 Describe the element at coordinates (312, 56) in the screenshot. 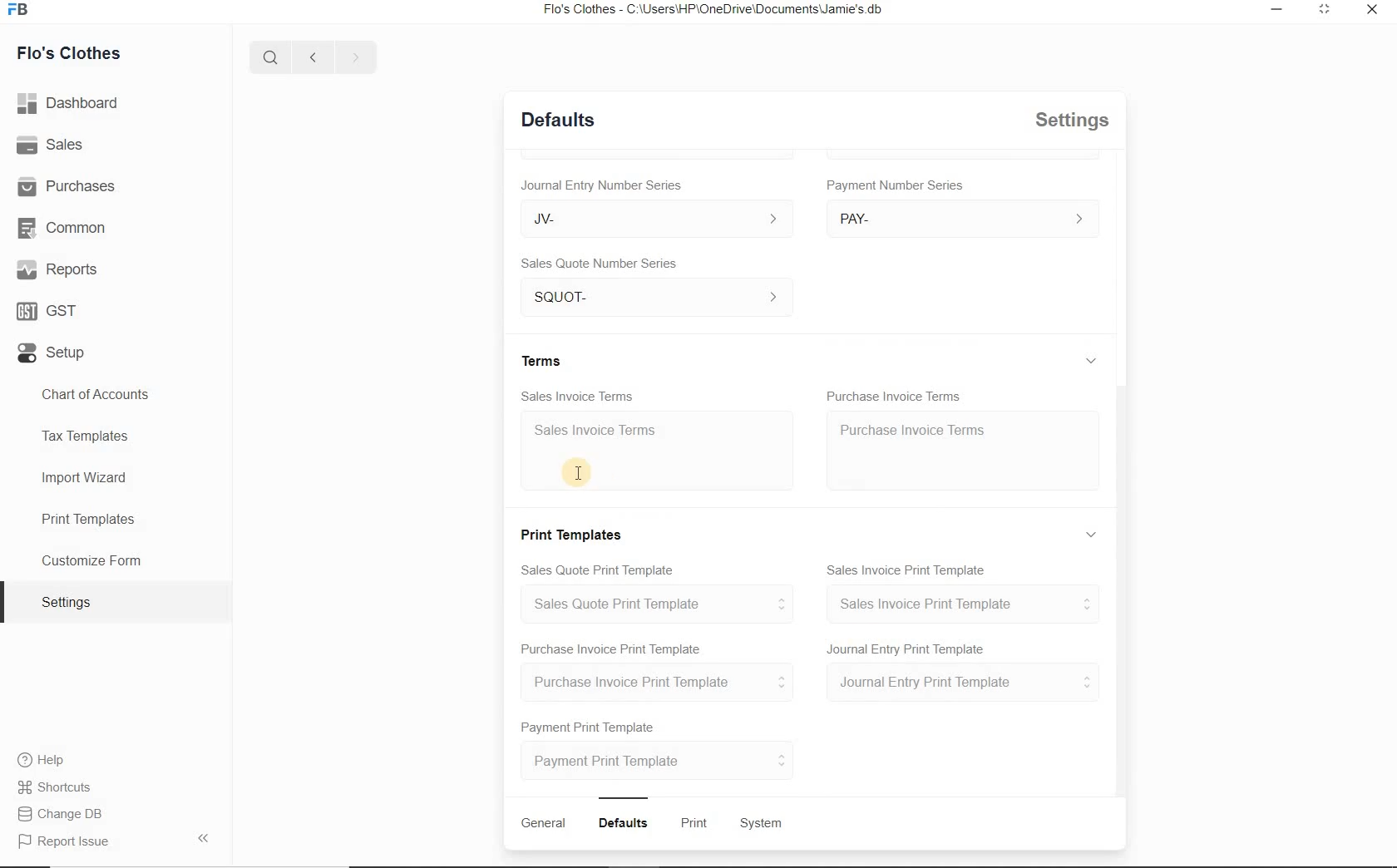

I see `Back` at that location.